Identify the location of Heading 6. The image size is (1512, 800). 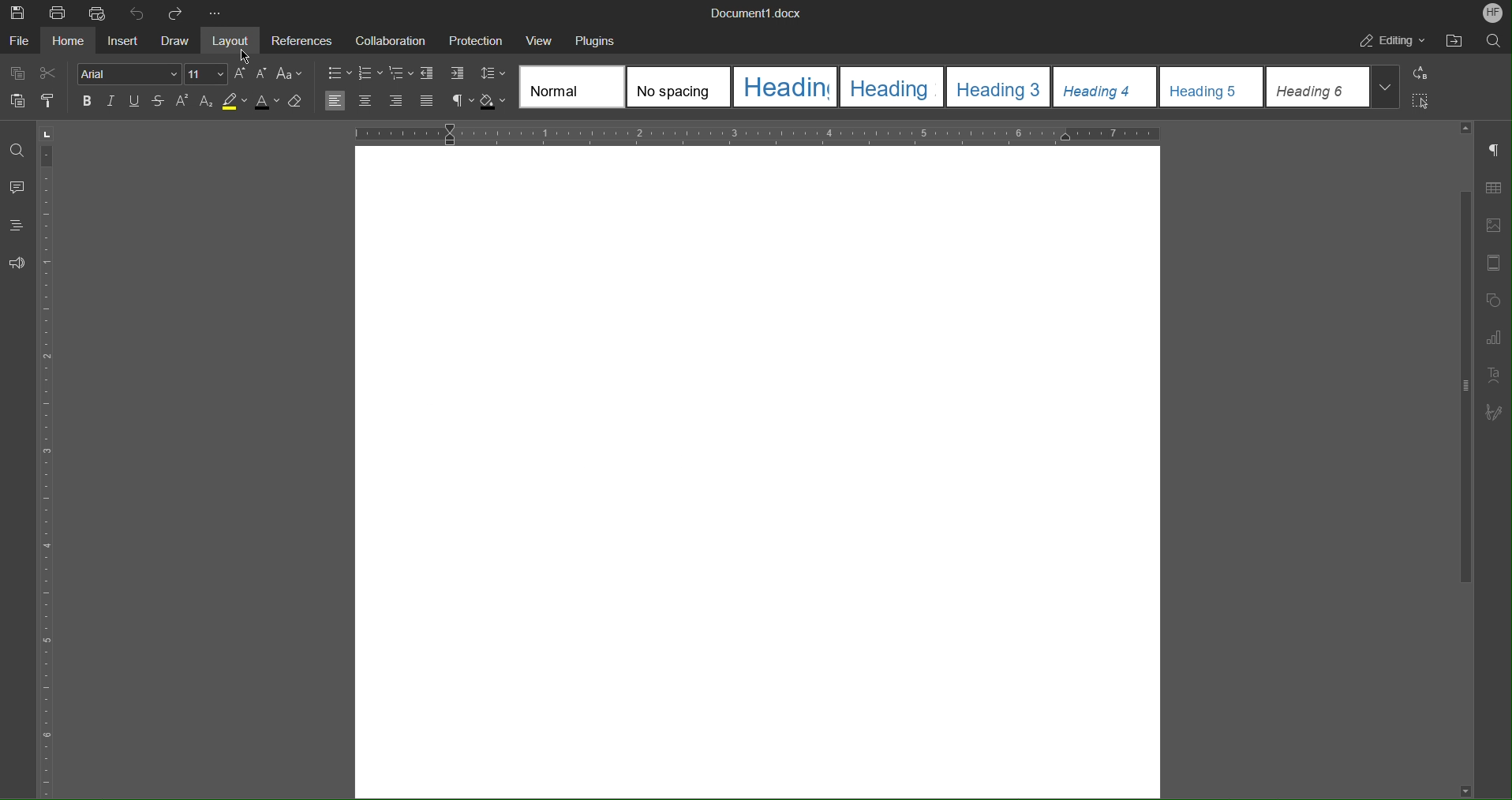
(1330, 87).